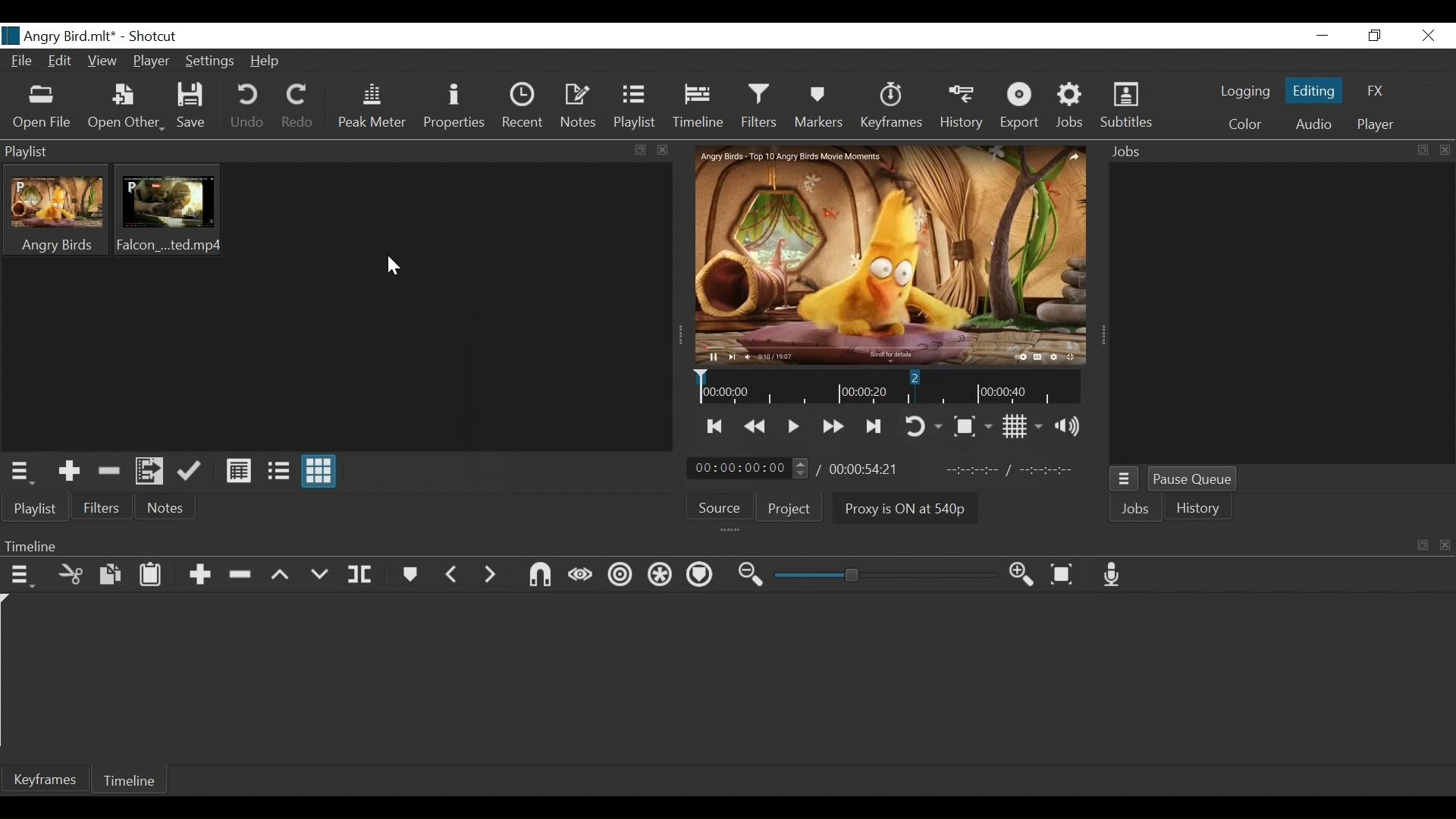  What do you see at coordinates (321, 576) in the screenshot?
I see `Overwrite` at bounding box center [321, 576].